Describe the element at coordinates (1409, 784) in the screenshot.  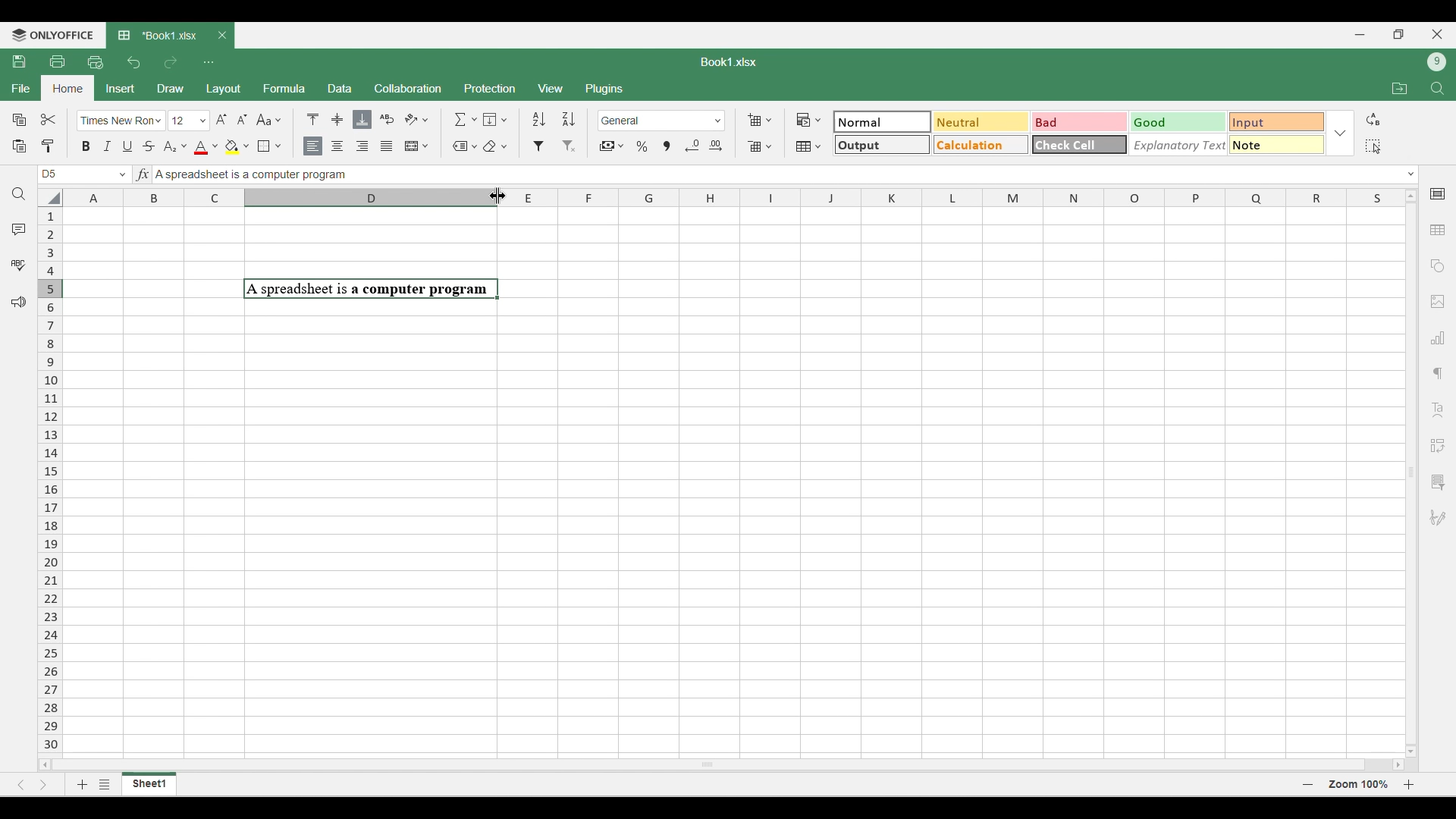
I see `Zoom in` at that location.